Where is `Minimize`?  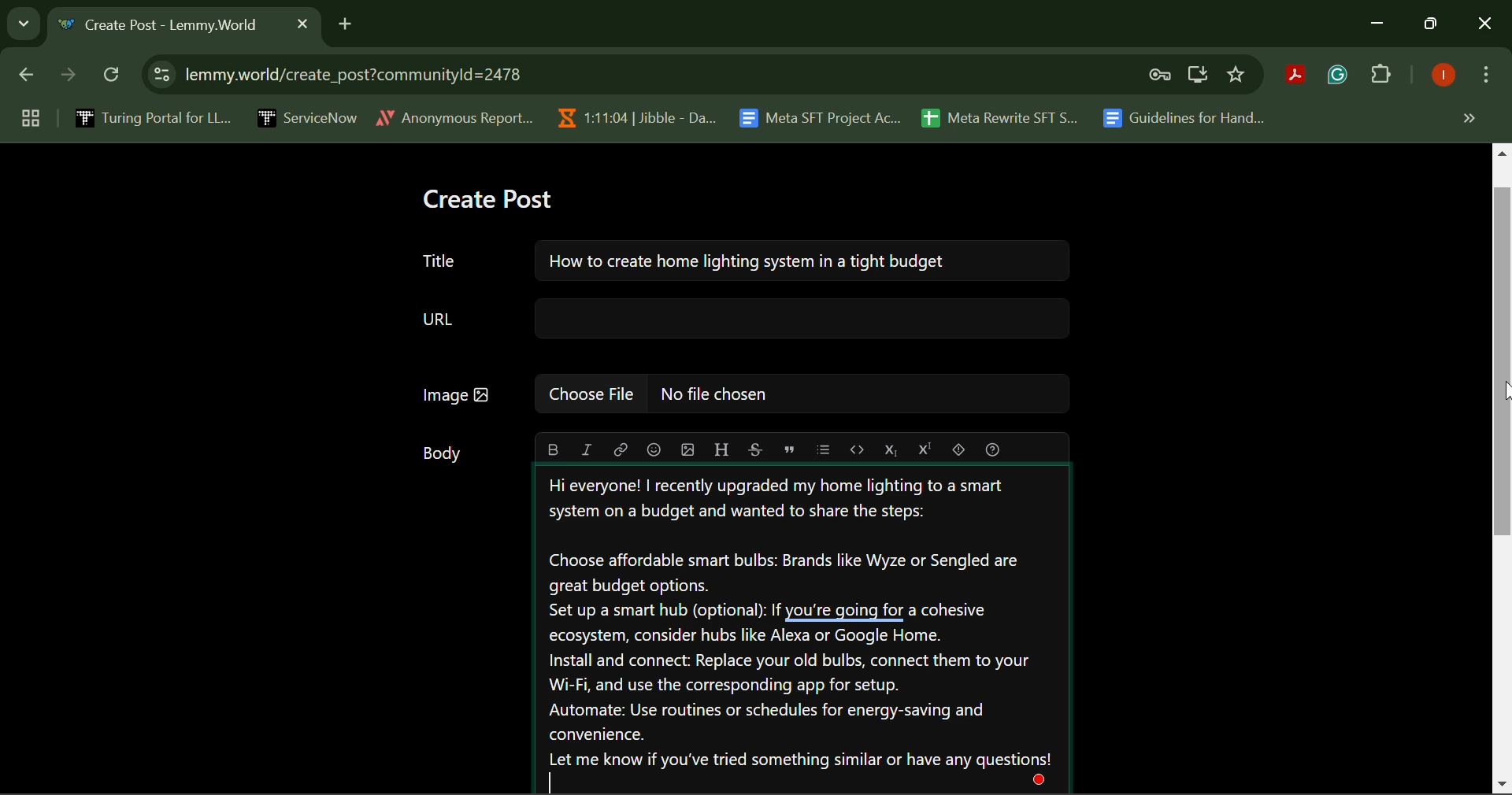 Minimize is located at coordinates (1433, 24).